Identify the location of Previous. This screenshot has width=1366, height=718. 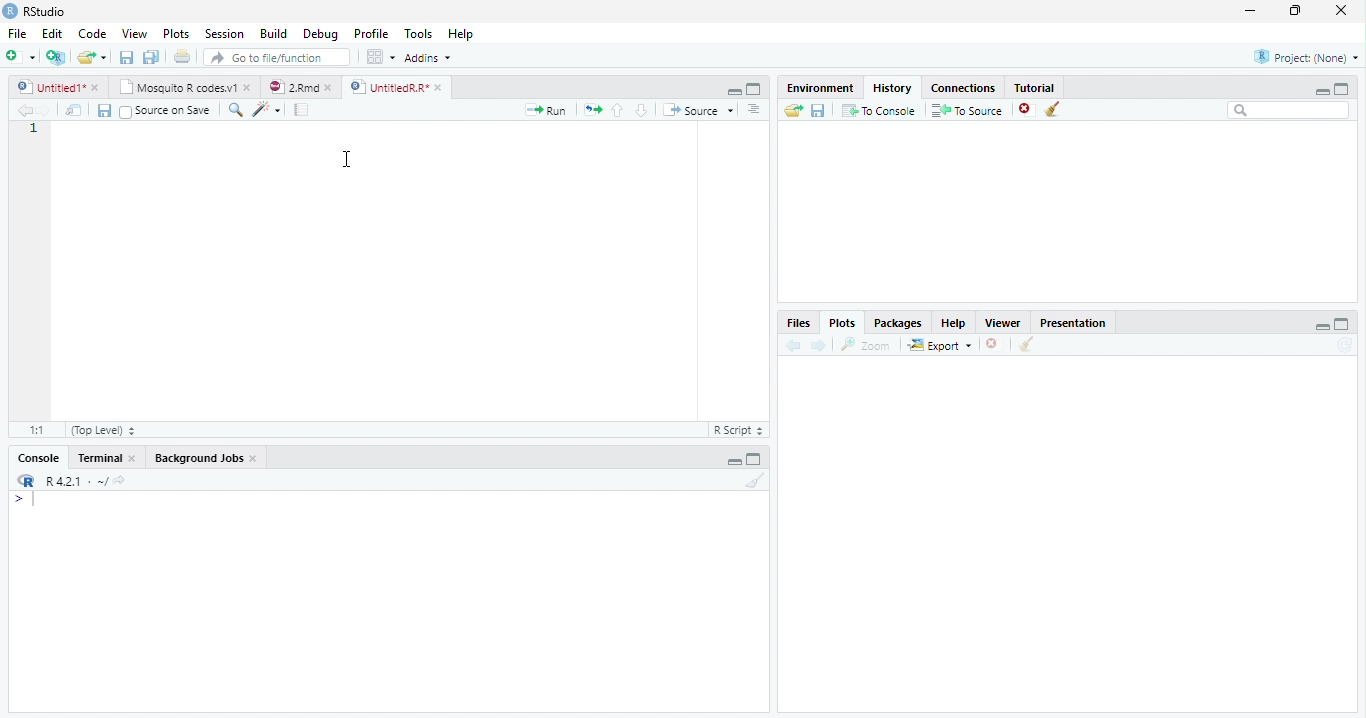
(793, 345).